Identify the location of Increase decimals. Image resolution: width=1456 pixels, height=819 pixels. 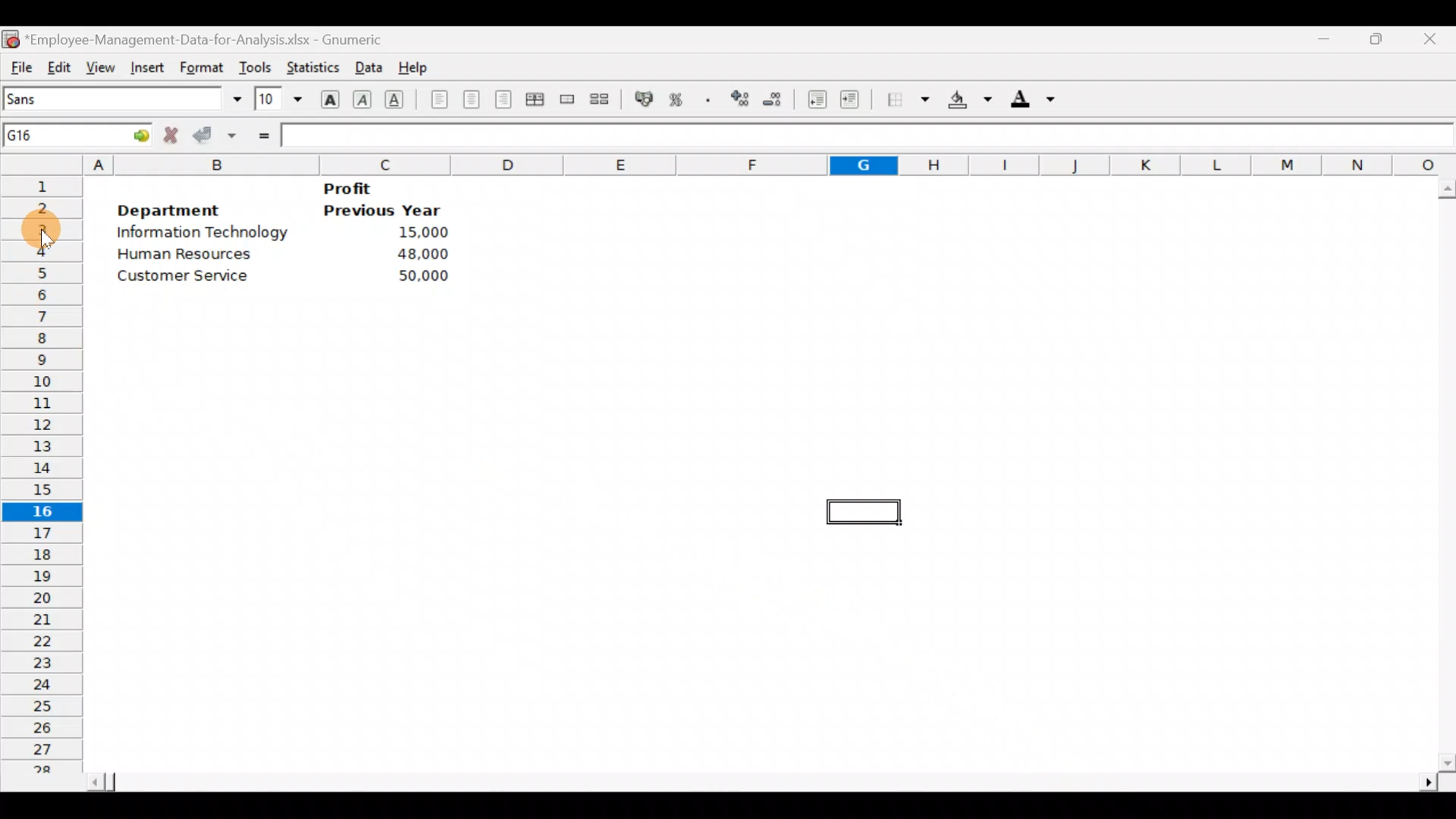
(742, 98).